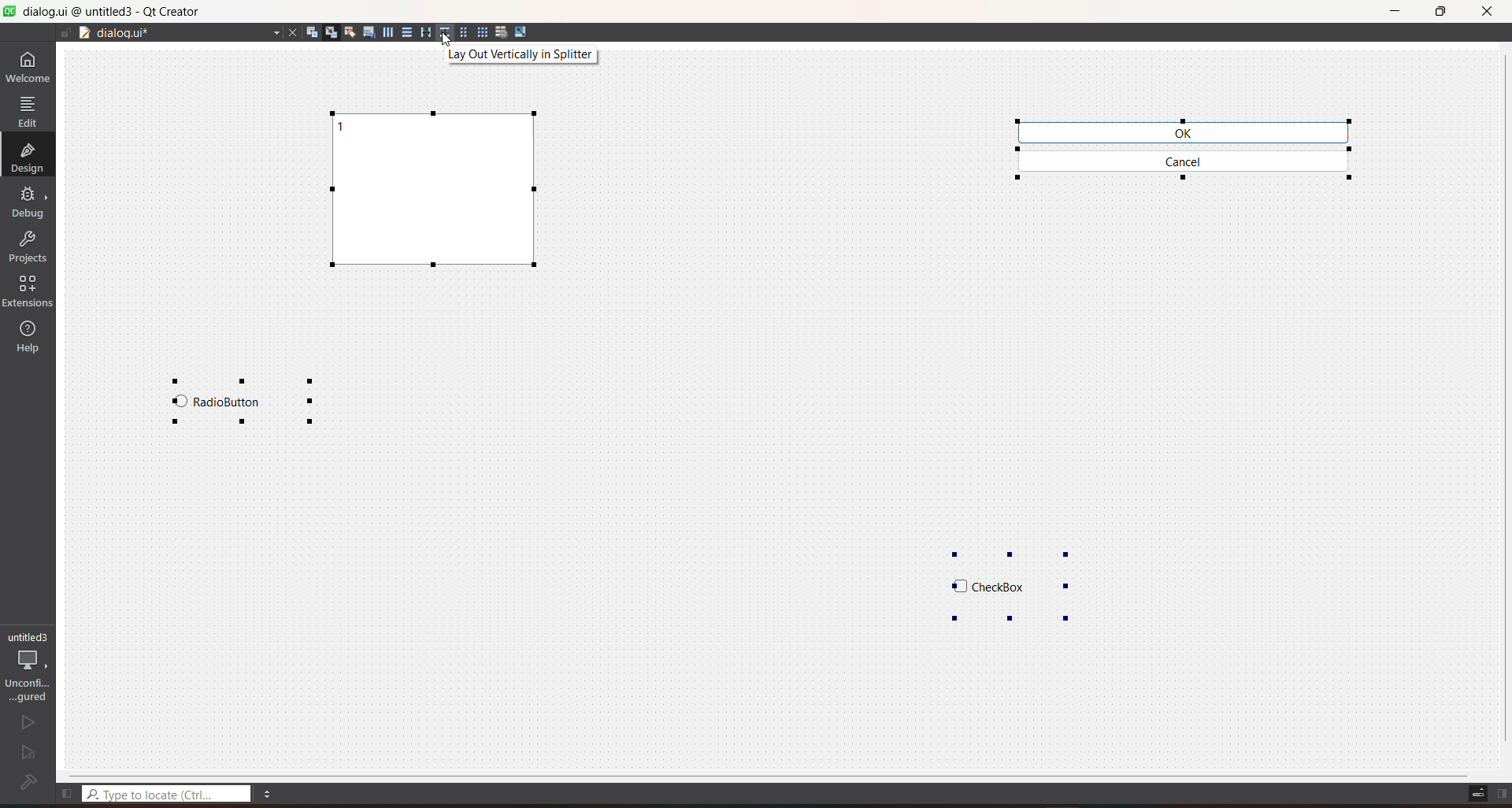  What do you see at coordinates (27, 156) in the screenshot?
I see `design` at bounding box center [27, 156].